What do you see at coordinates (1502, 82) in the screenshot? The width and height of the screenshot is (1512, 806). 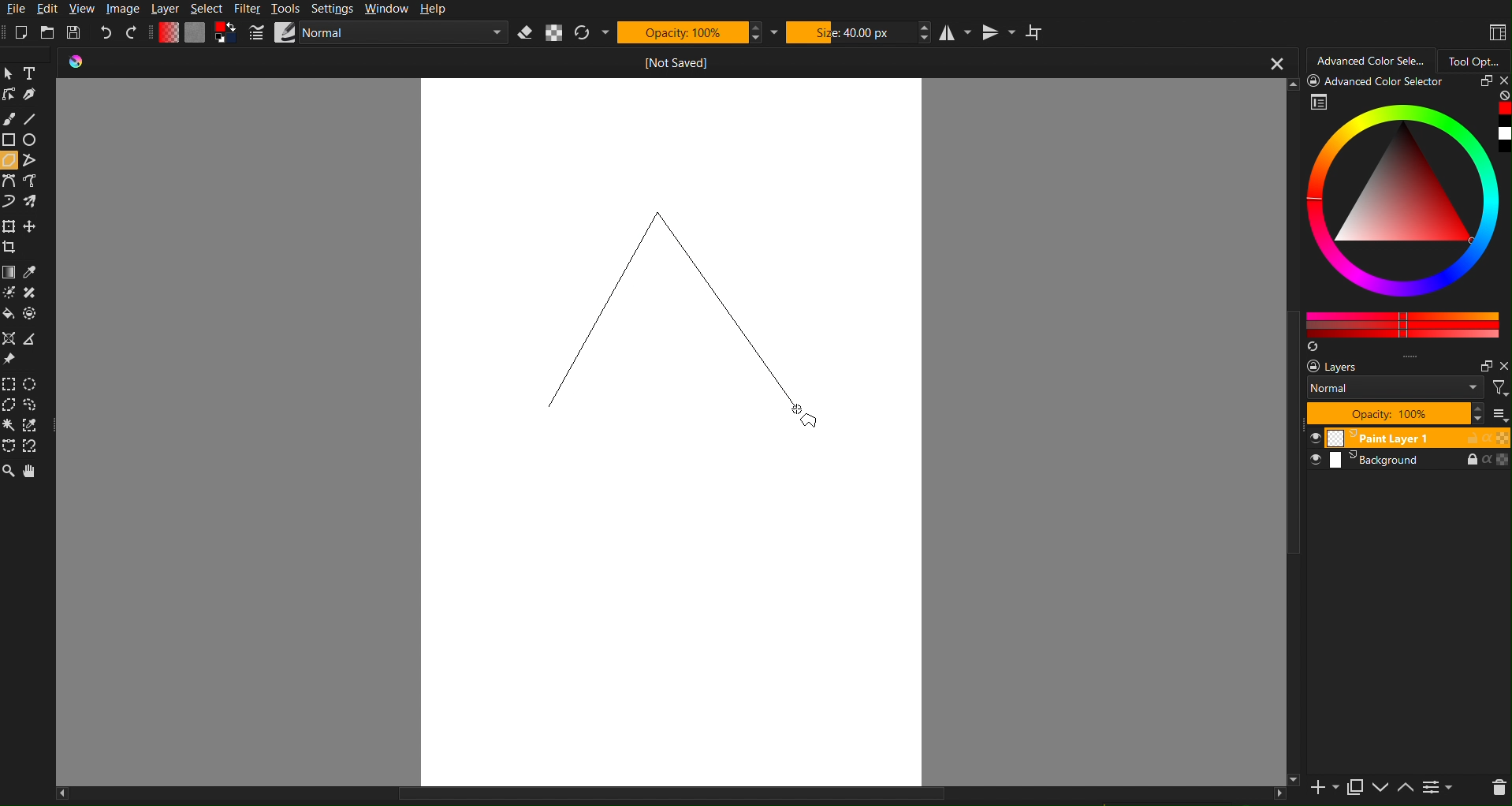 I see `close panel` at bounding box center [1502, 82].